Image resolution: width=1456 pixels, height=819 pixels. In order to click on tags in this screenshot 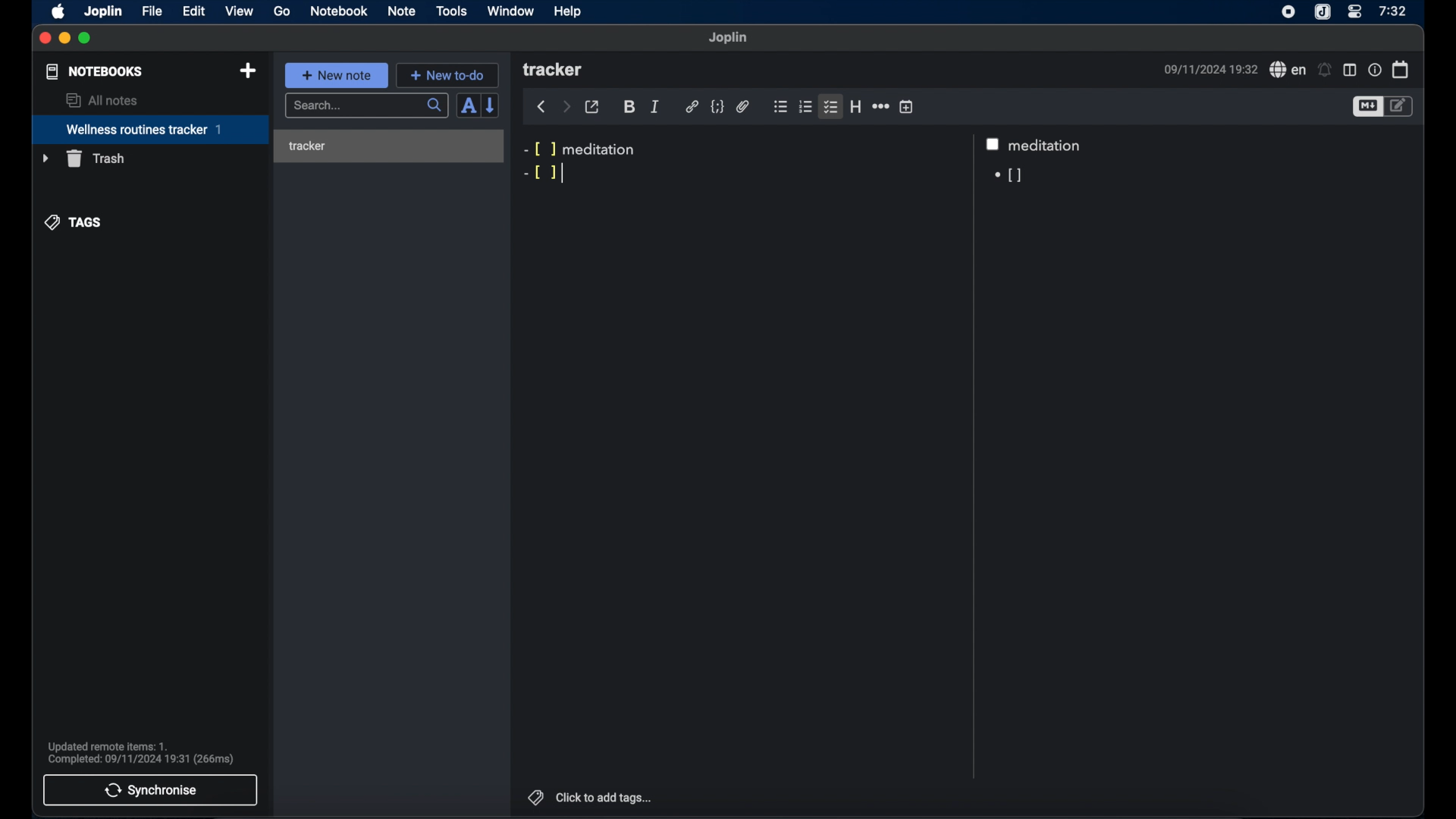, I will do `click(533, 795)`.